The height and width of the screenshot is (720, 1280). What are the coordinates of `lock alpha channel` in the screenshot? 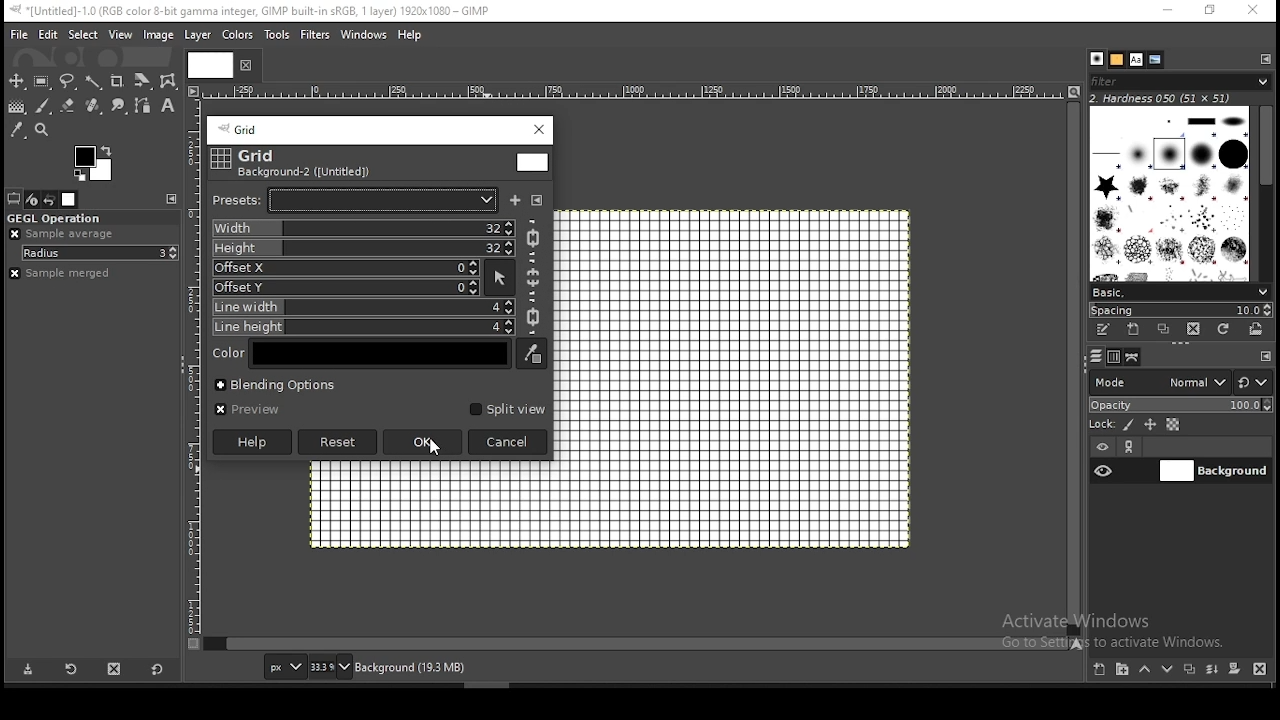 It's located at (1174, 424).